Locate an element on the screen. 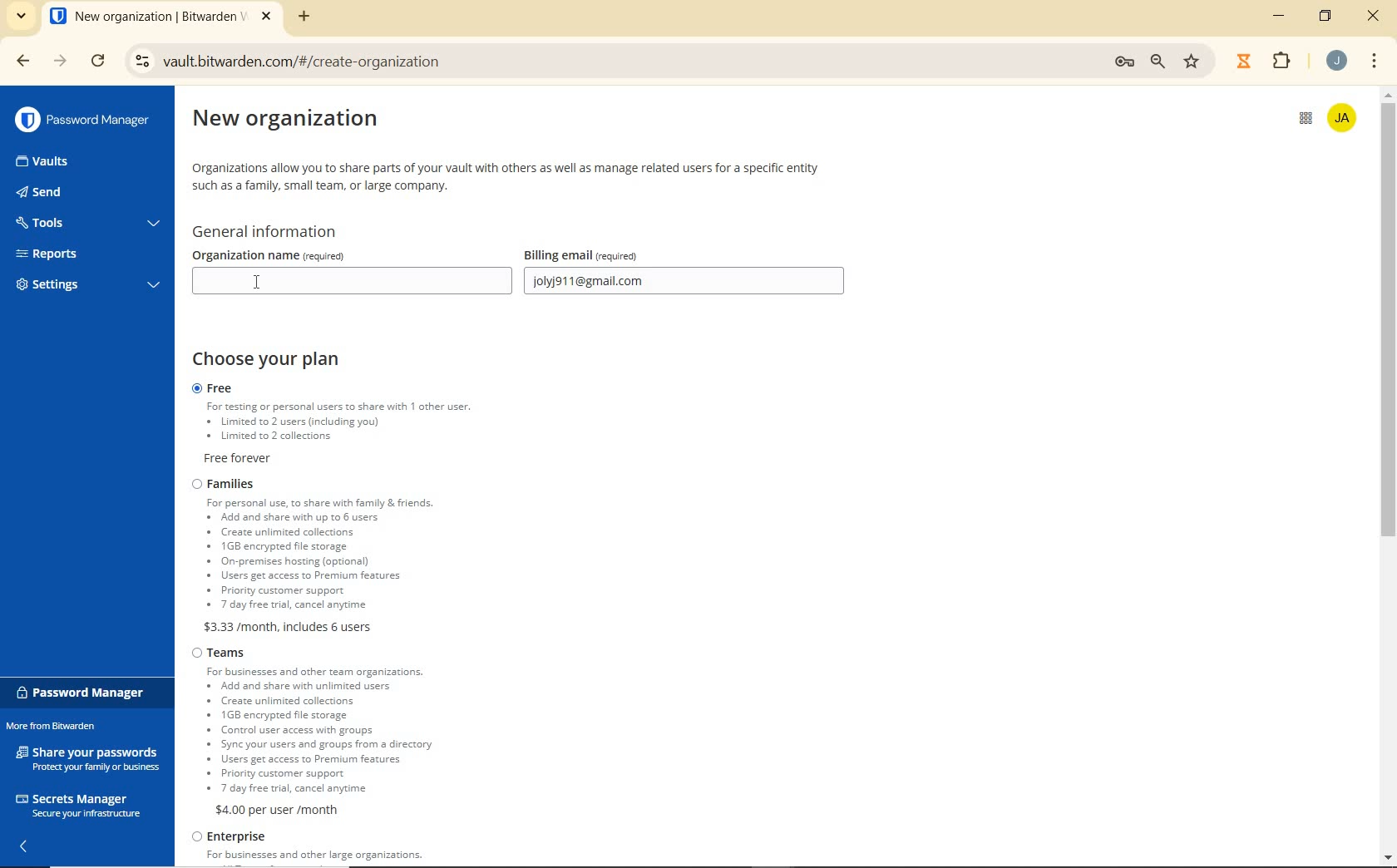  choose your plan is located at coordinates (275, 360).